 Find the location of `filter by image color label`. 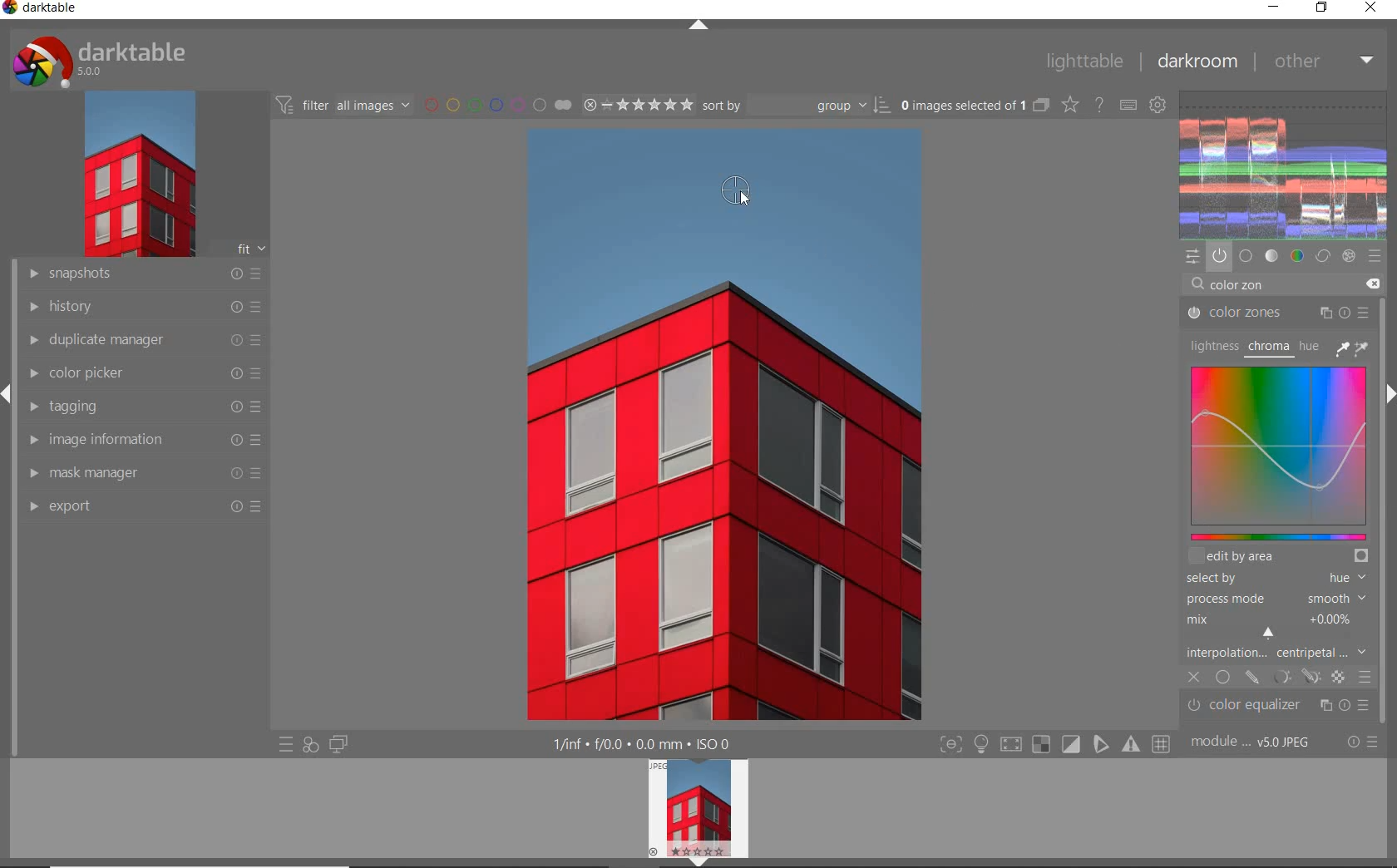

filter by image color label is located at coordinates (497, 105).